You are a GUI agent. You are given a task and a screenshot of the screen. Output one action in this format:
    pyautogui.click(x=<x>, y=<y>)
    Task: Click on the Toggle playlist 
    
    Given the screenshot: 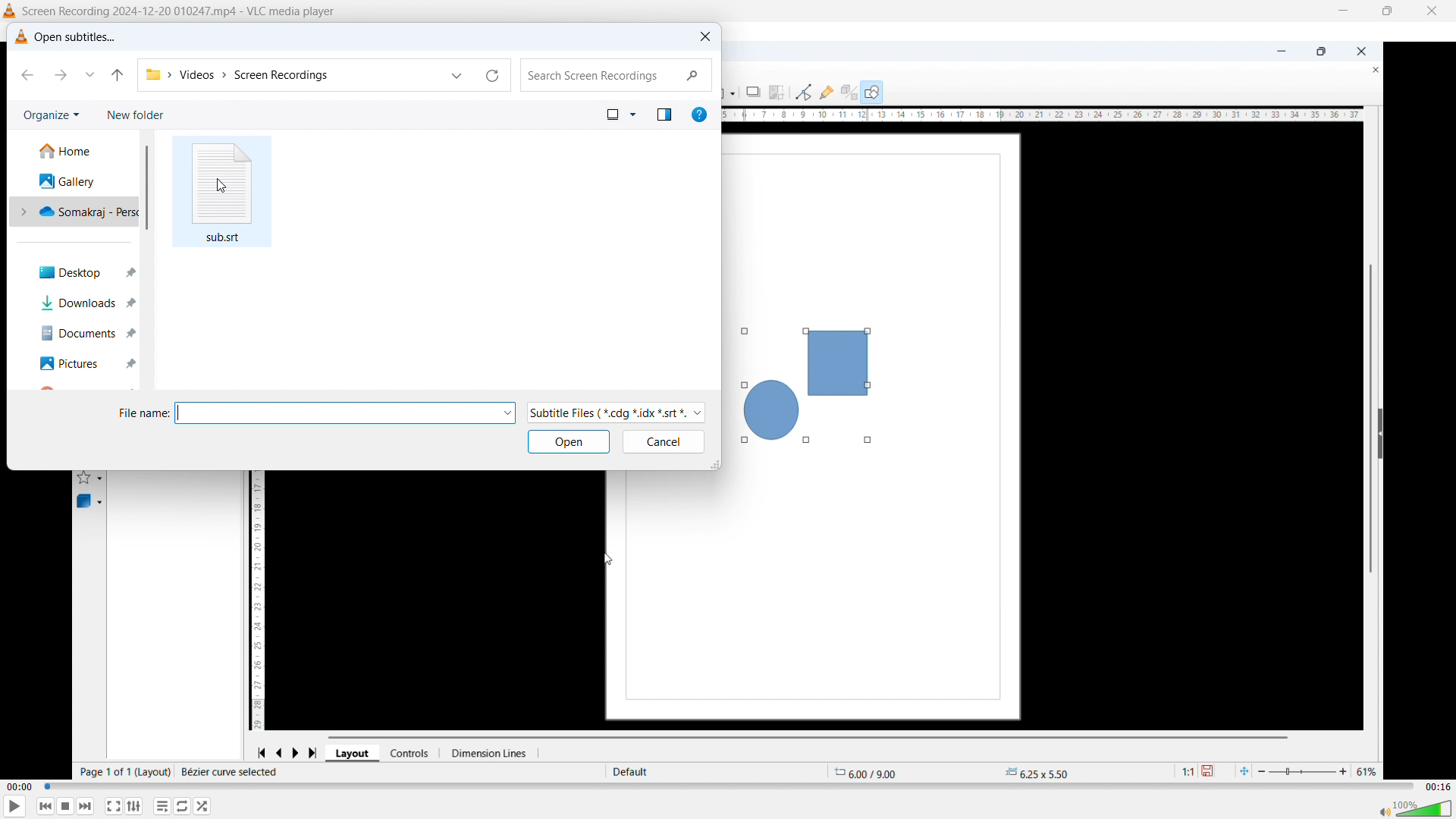 What is the action you would take?
    pyautogui.click(x=162, y=807)
    